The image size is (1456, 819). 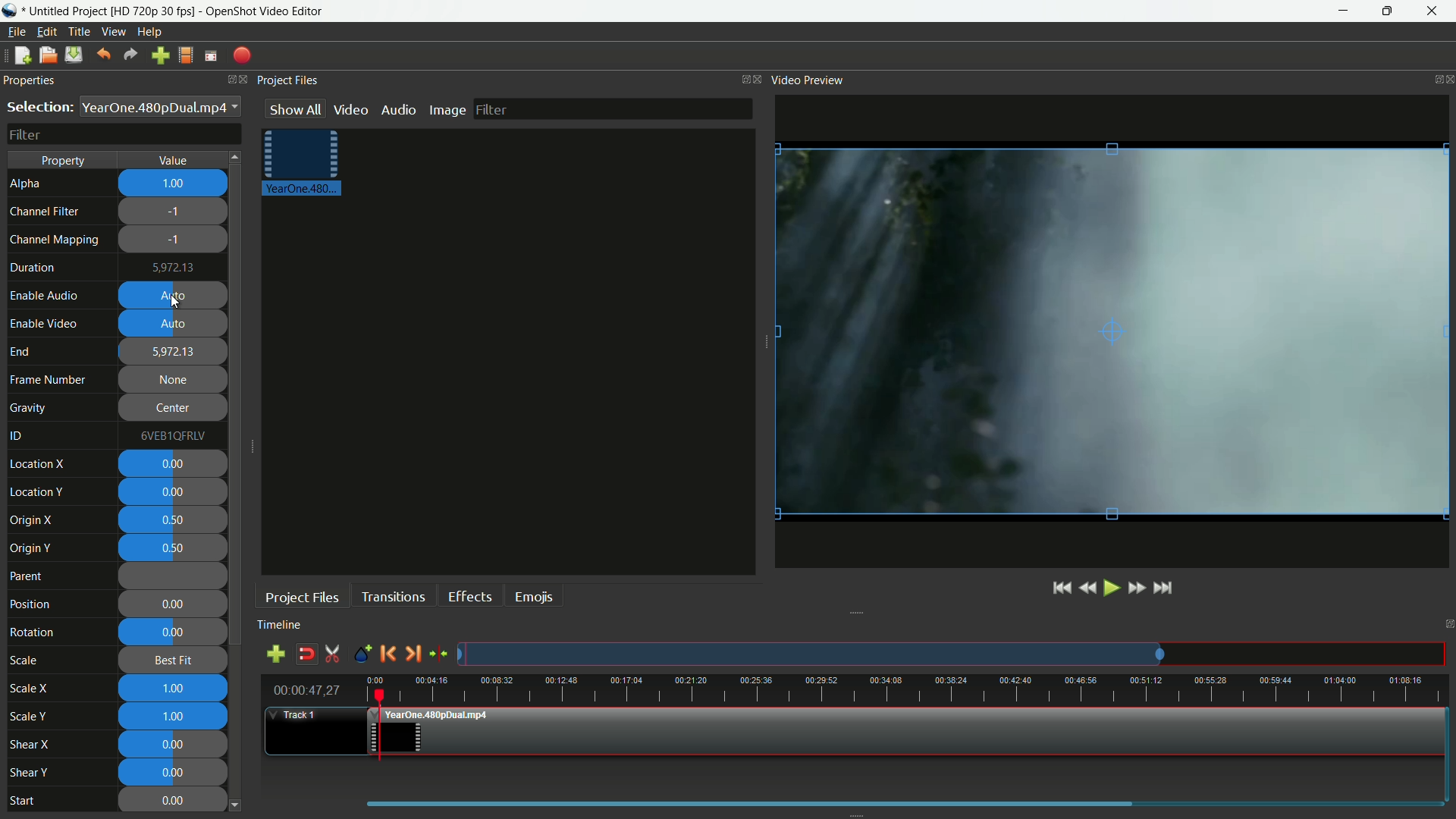 What do you see at coordinates (1434, 11) in the screenshot?
I see `close app` at bounding box center [1434, 11].